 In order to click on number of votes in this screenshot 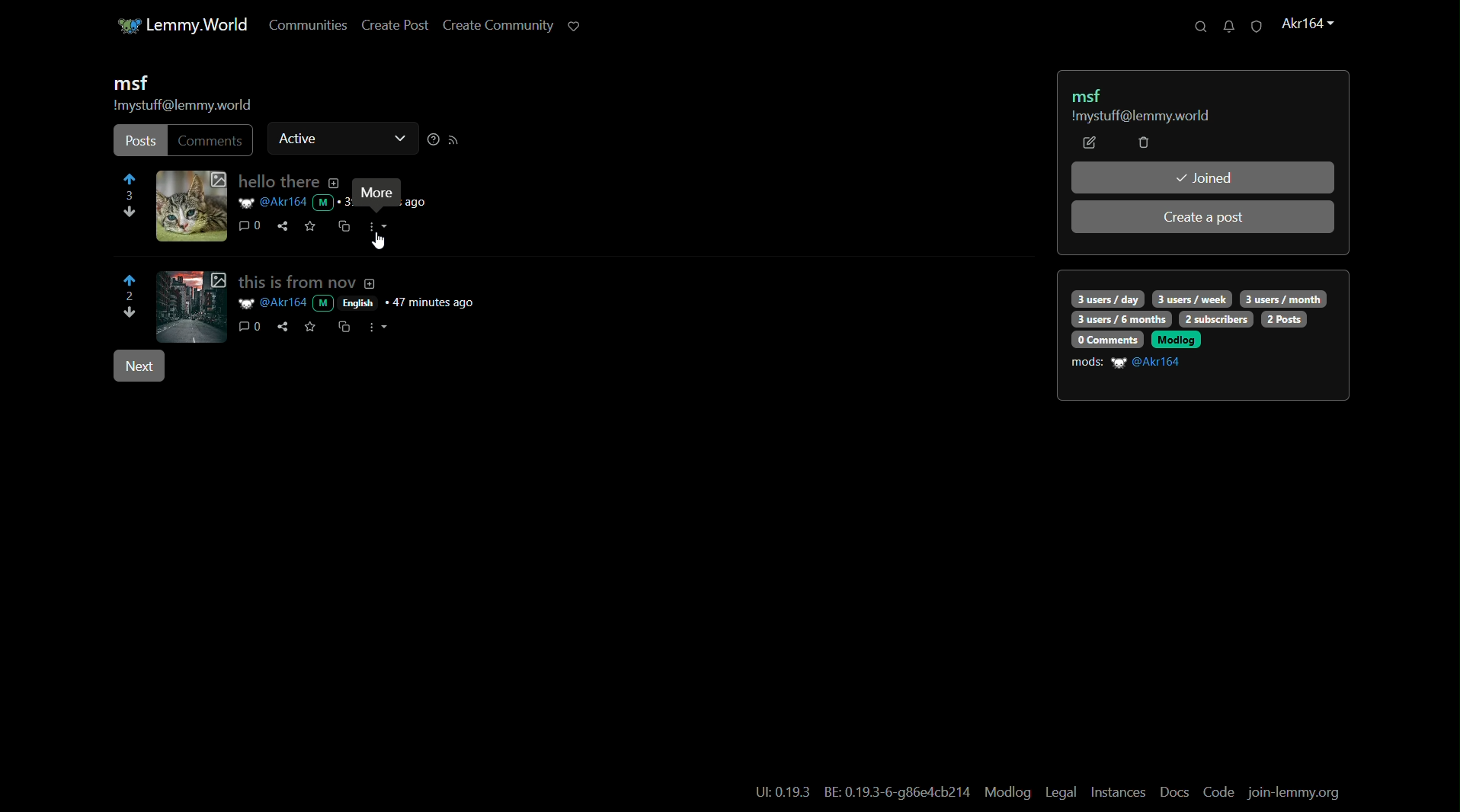, I will do `click(130, 197)`.